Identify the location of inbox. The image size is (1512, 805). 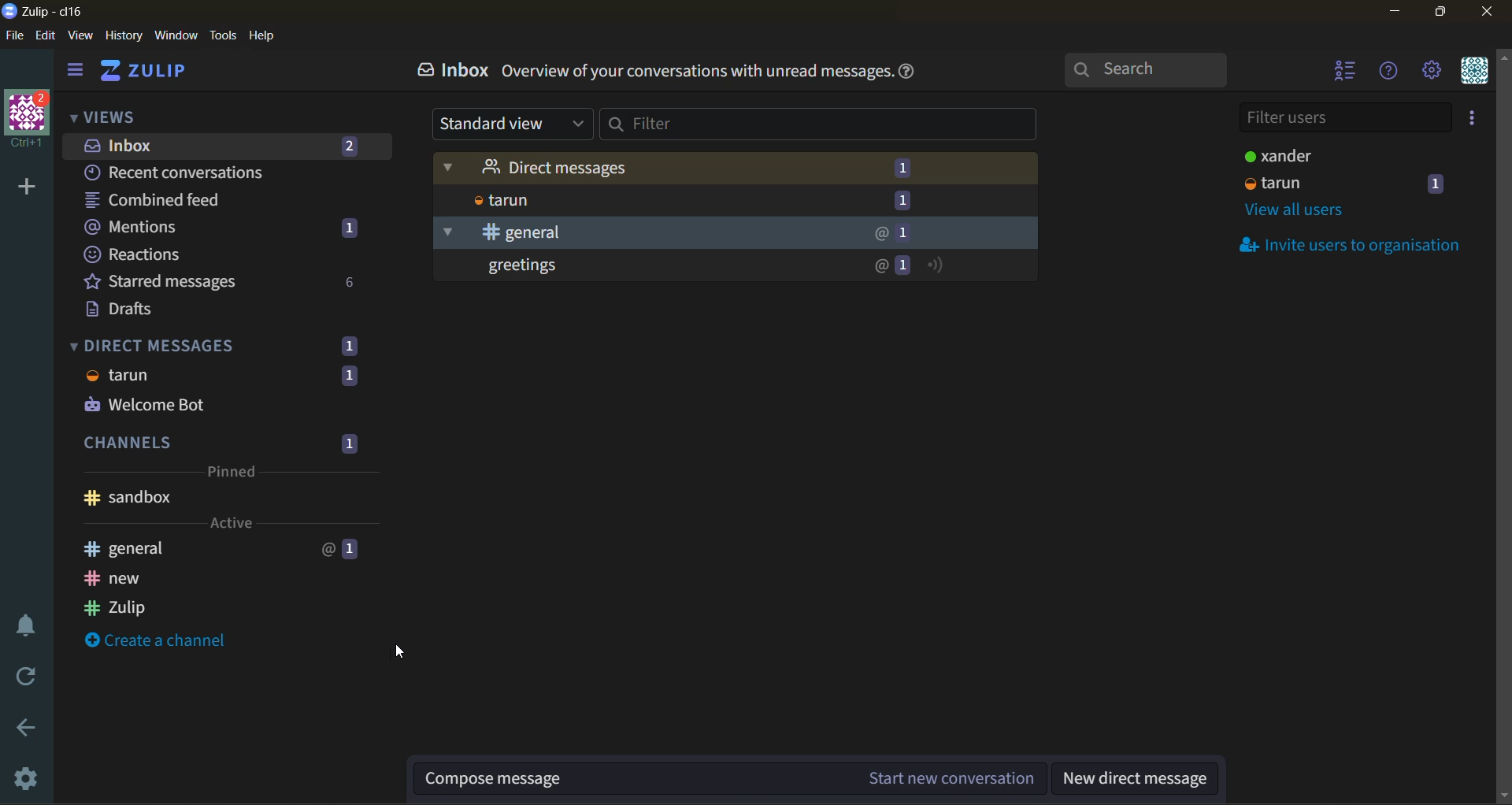
(458, 73).